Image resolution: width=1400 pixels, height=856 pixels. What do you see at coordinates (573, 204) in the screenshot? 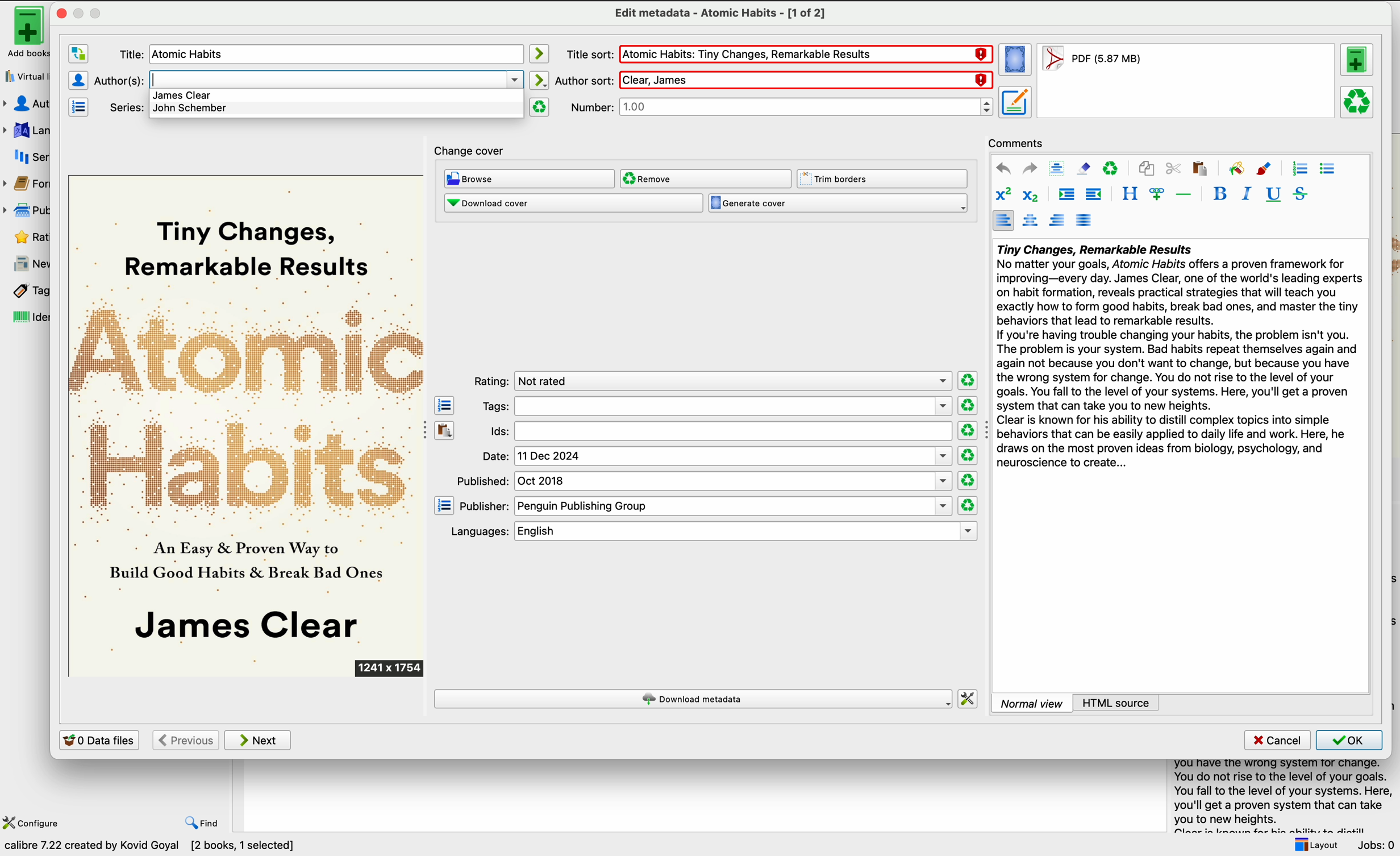
I see `download cover` at bounding box center [573, 204].